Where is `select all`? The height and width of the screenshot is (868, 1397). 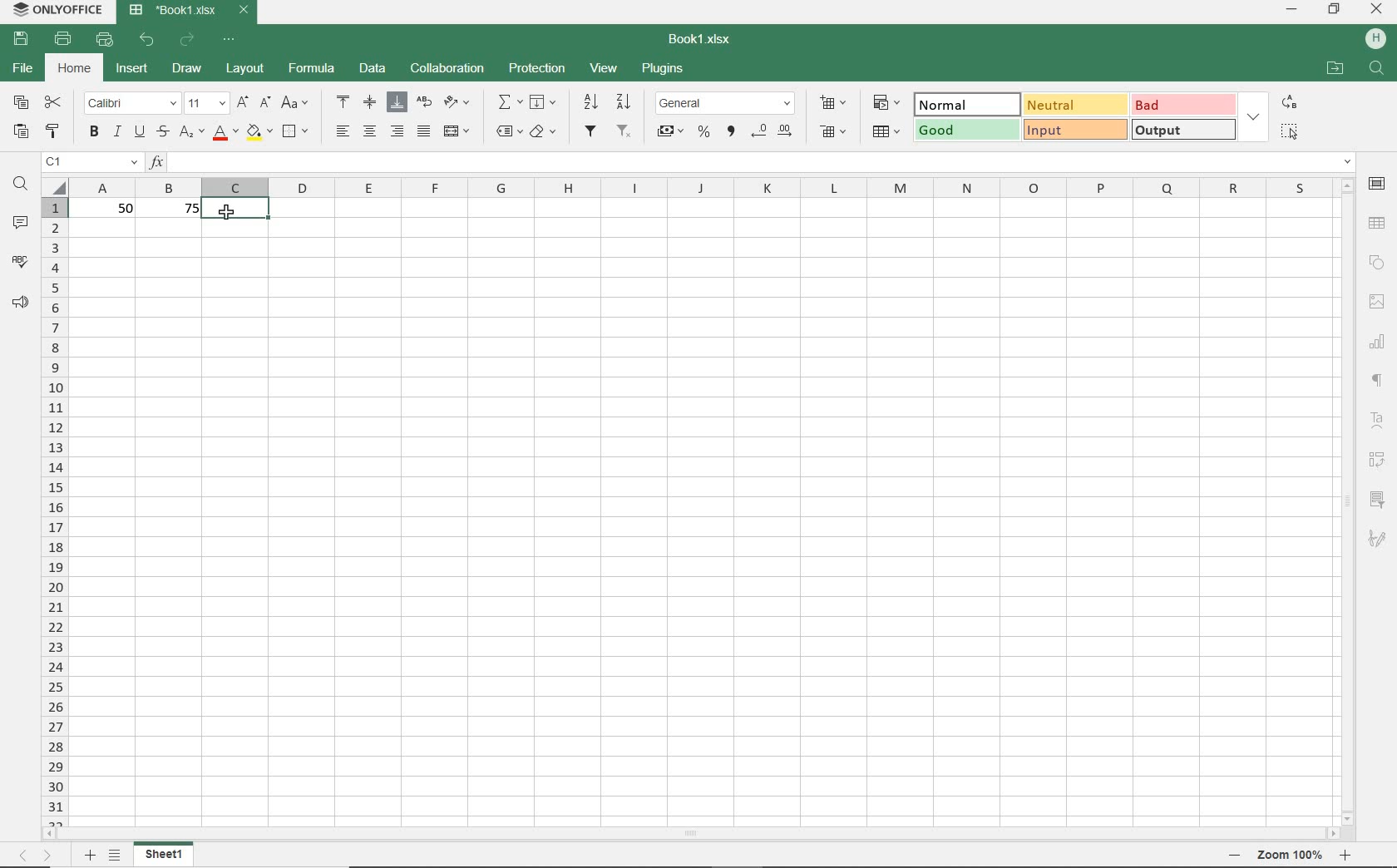
select all is located at coordinates (1292, 131).